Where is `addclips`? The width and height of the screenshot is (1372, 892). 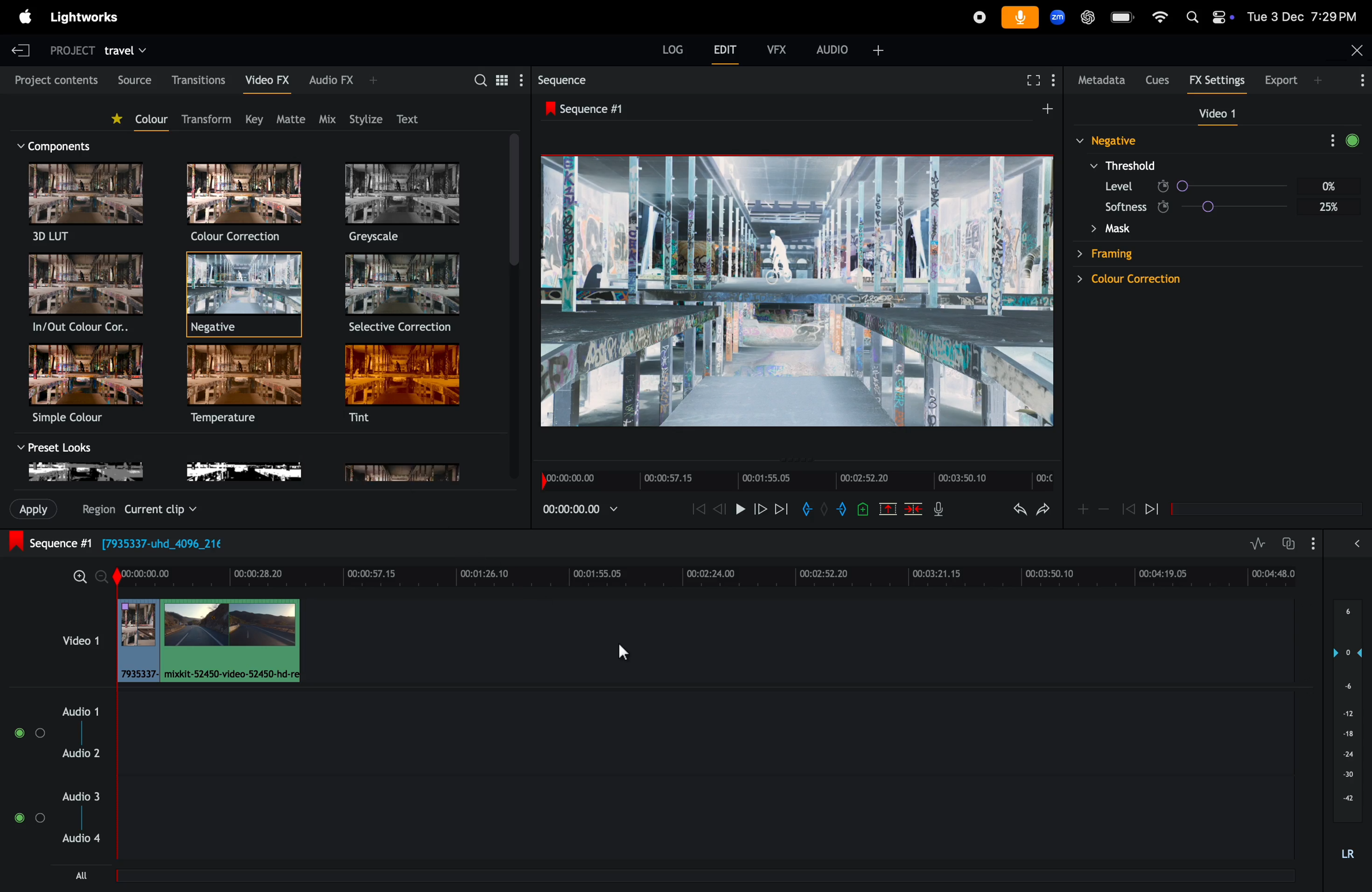
addclips is located at coordinates (207, 641).